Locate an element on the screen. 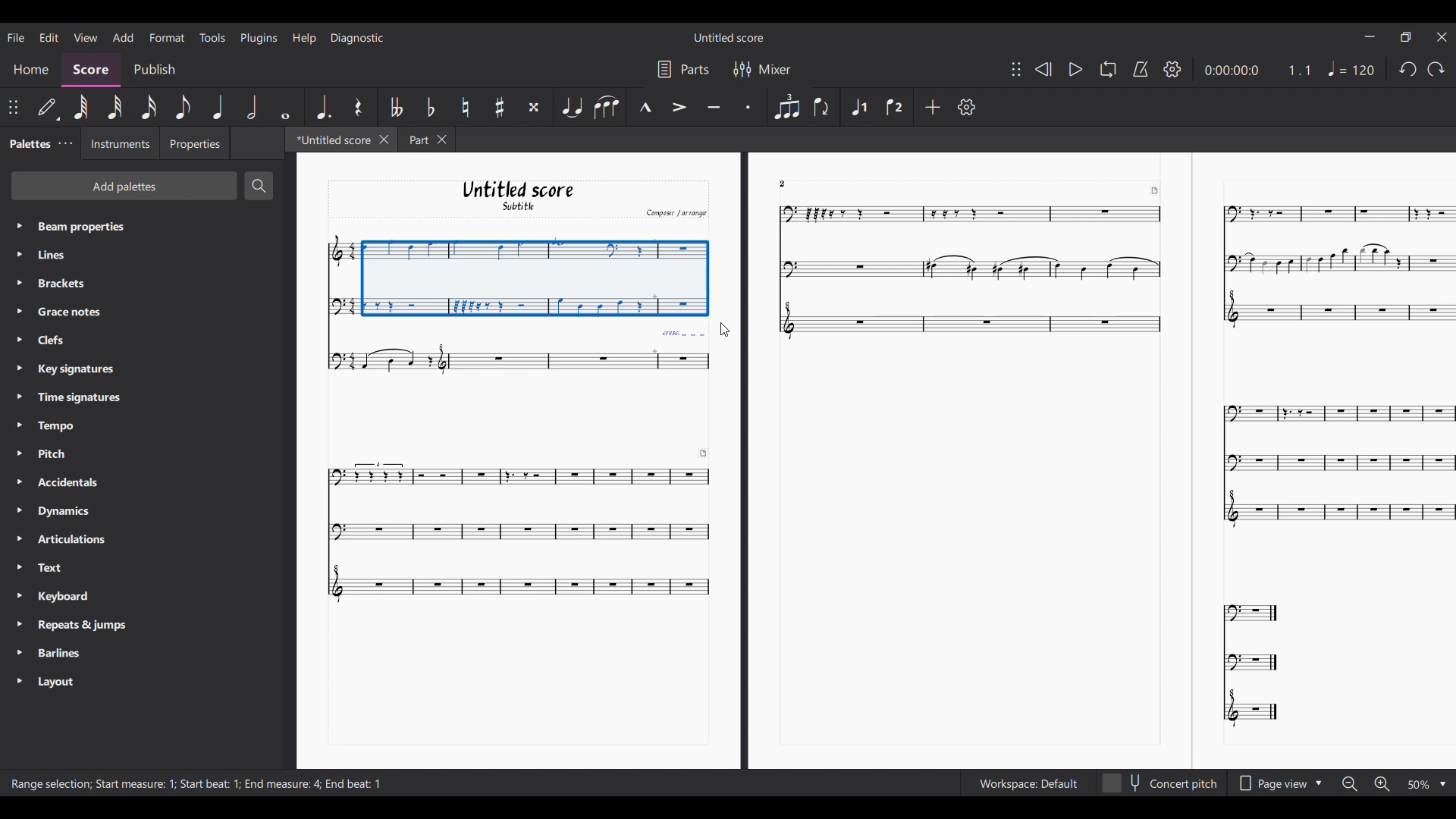  Text is located at coordinates (71, 567).